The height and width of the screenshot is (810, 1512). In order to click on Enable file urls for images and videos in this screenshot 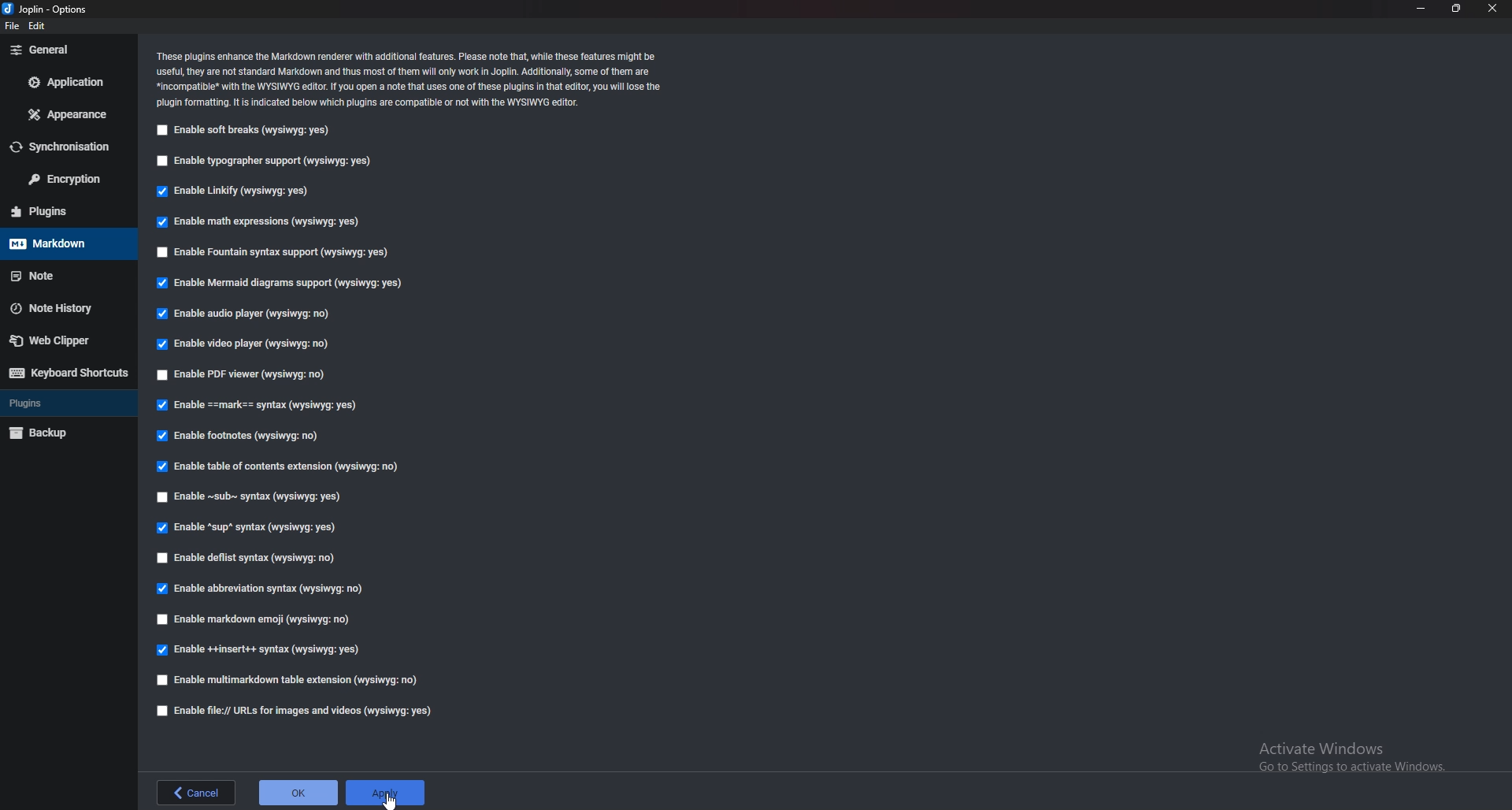, I will do `click(293, 711)`.